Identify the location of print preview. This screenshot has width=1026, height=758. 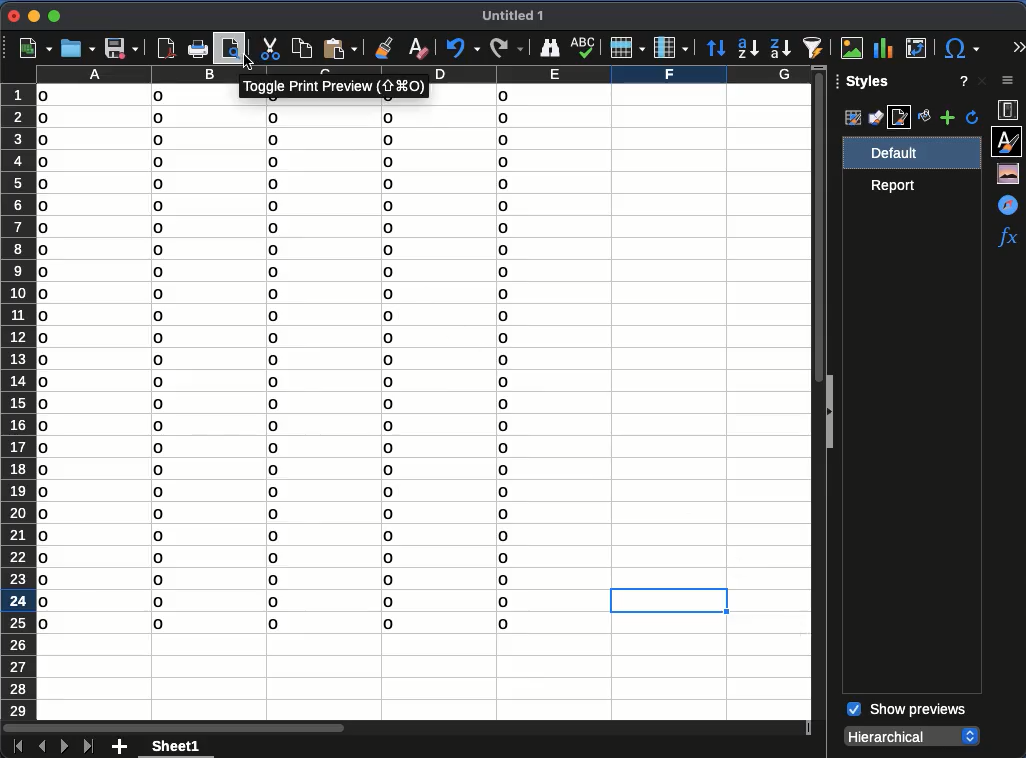
(335, 87).